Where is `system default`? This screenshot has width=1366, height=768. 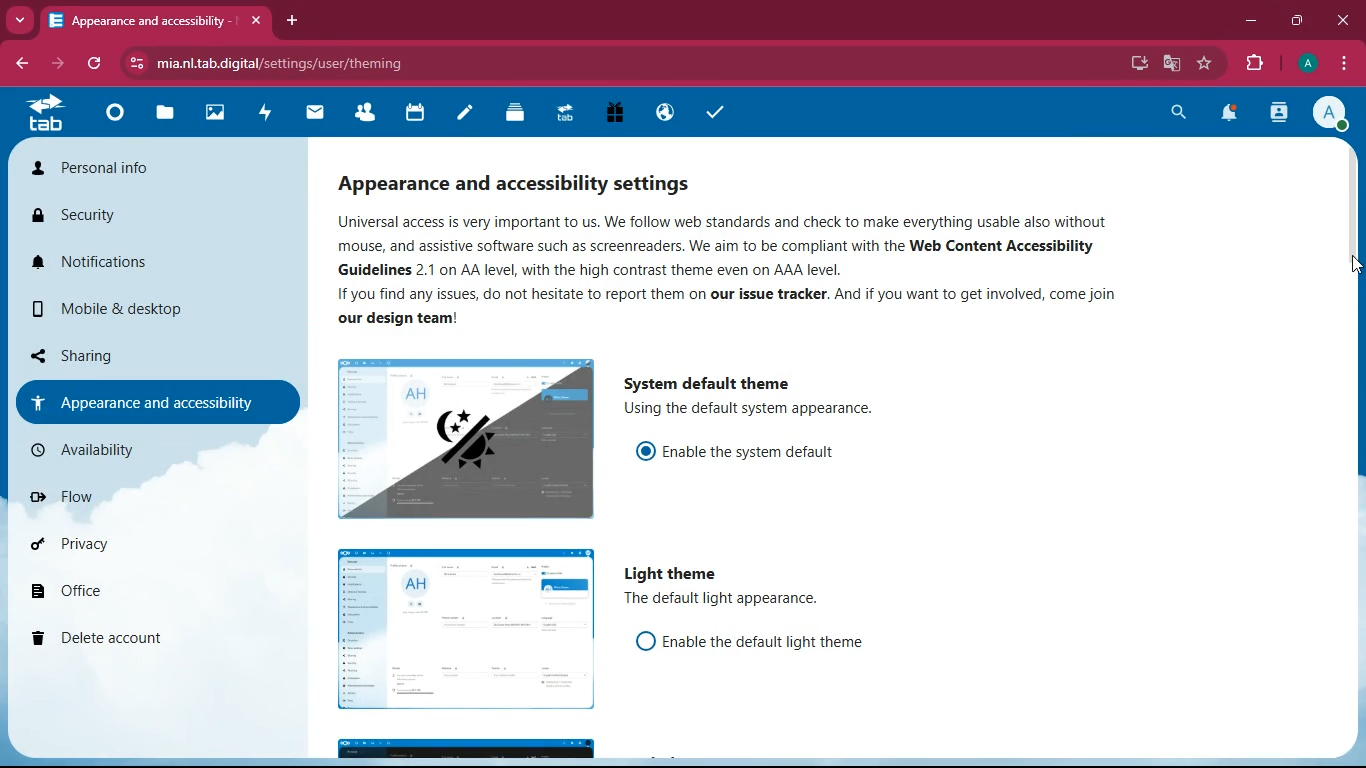 system default is located at coordinates (715, 381).